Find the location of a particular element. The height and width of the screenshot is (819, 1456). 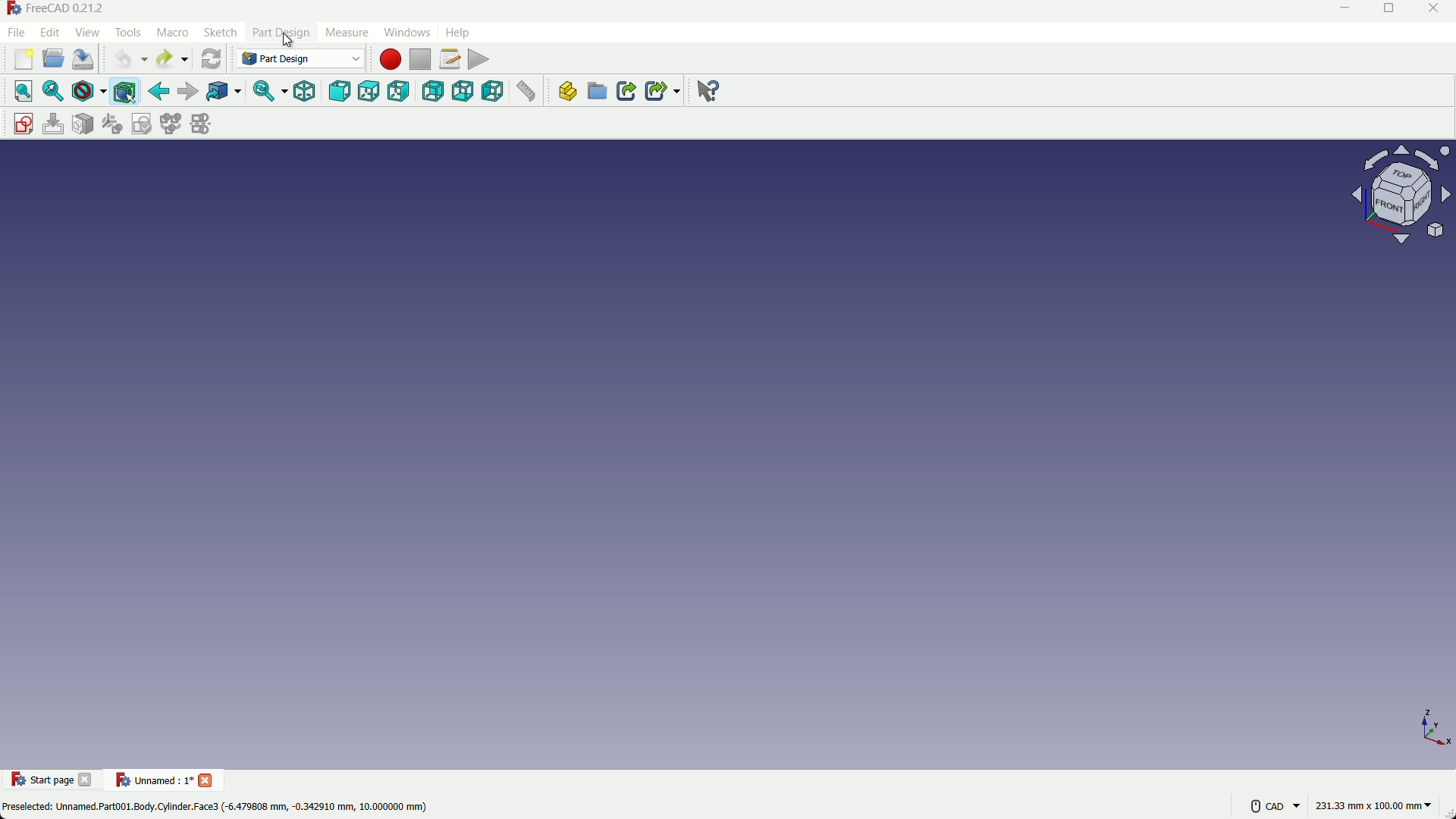

file menu is located at coordinates (17, 33).